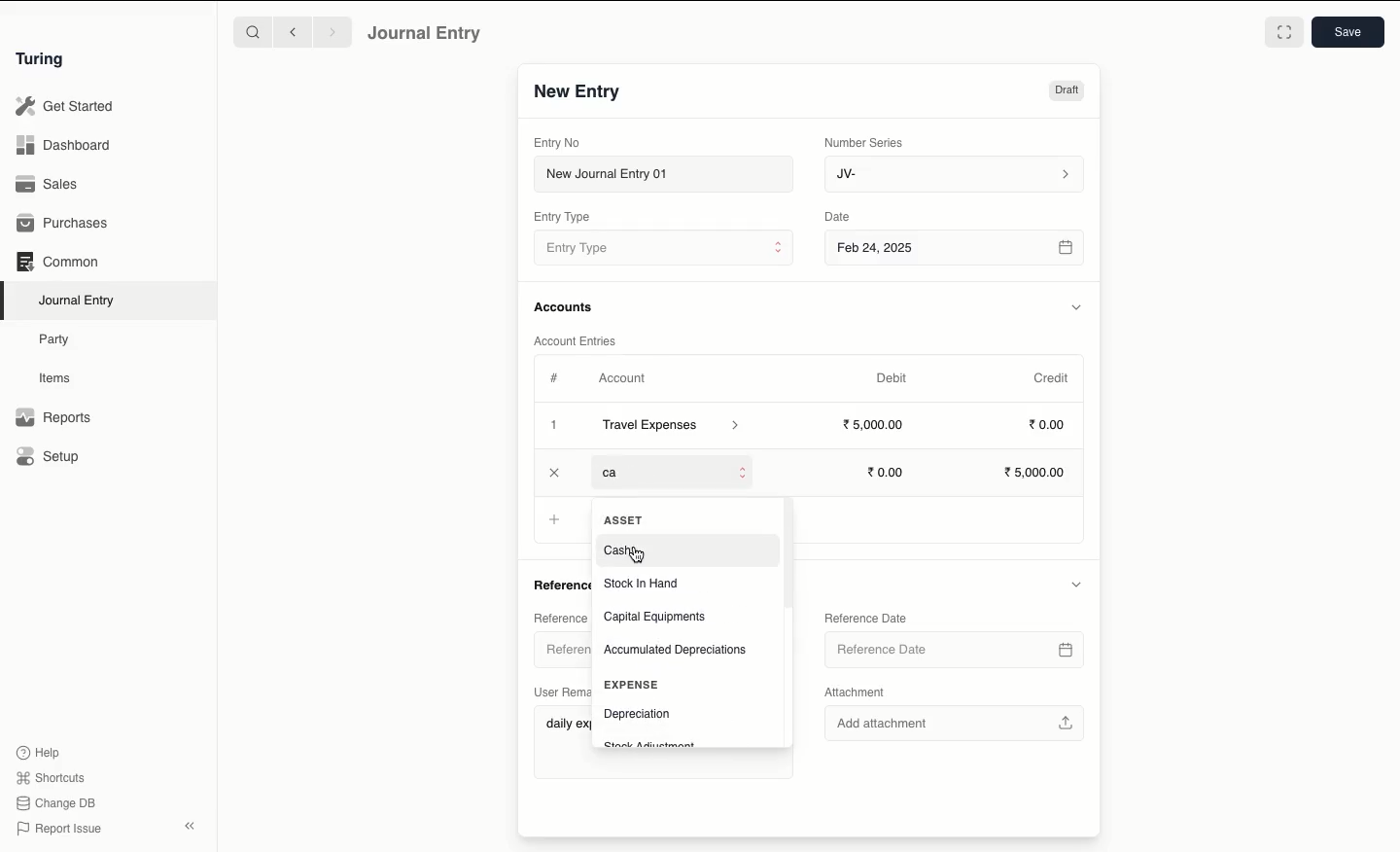 The width and height of the screenshot is (1400, 852). What do you see at coordinates (643, 584) in the screenshot?
I see `Stock In Hand` at bounding box center [643, 584].